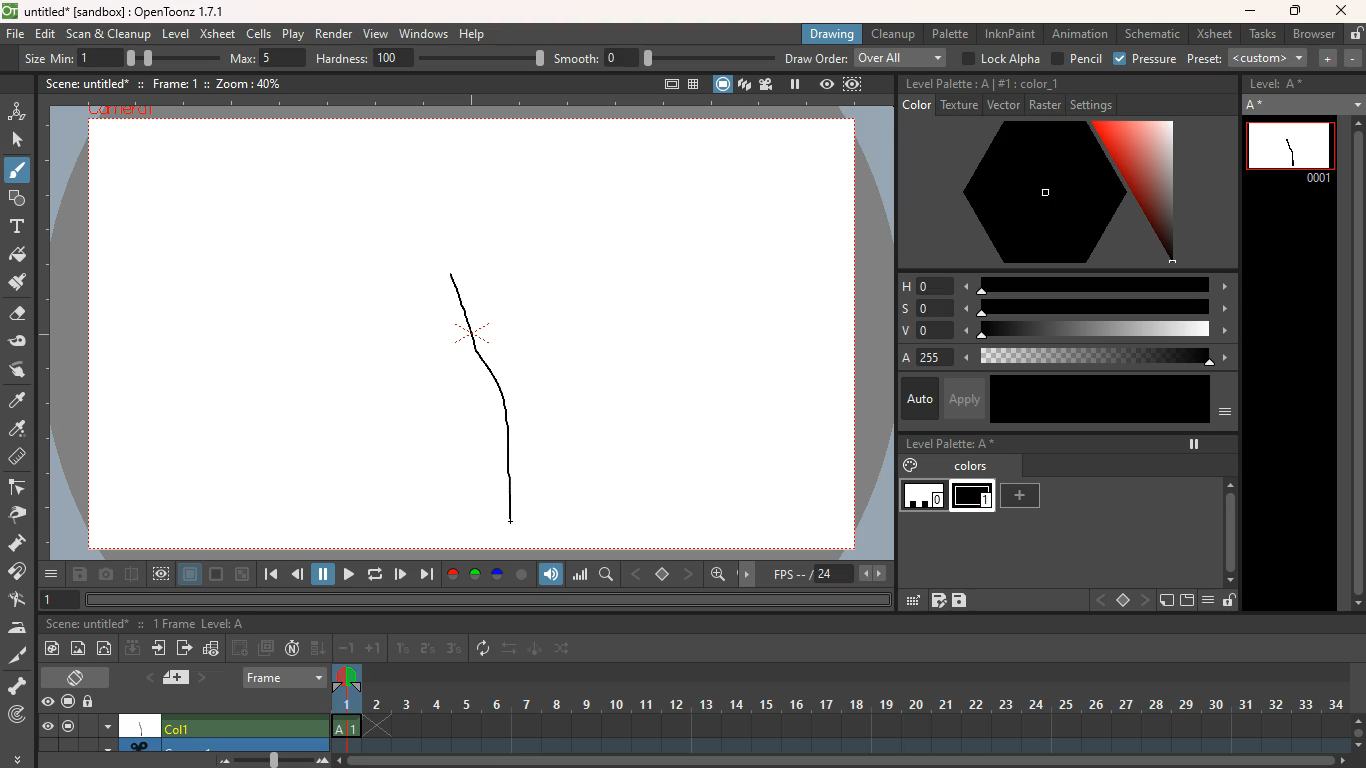  Describe the element at coordinates (55, 648) in the screenshot. I see `paint` at that location.